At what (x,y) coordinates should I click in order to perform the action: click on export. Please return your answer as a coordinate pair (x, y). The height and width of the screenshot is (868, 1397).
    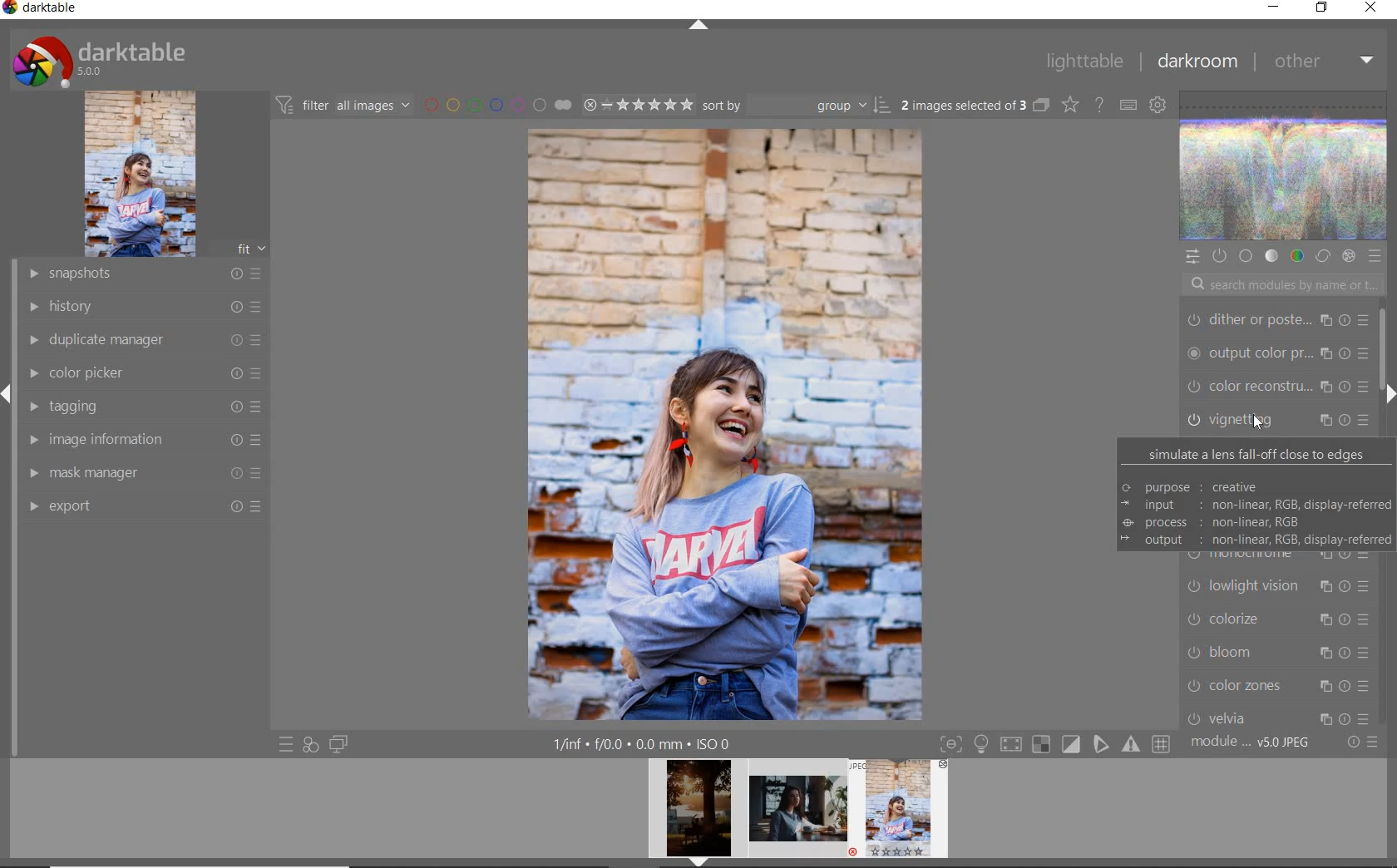
    Looking at the image, I should click on (143, 506).